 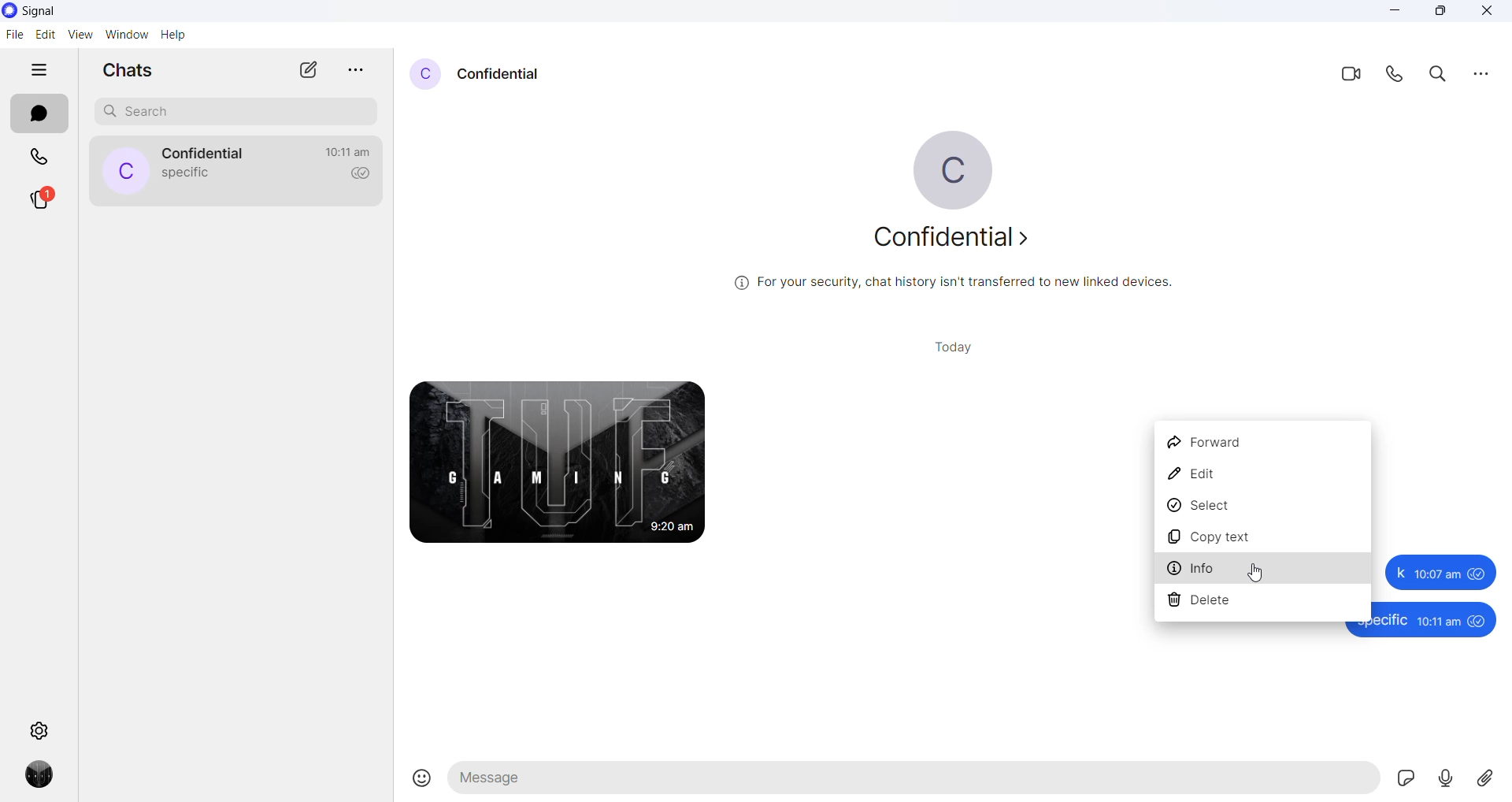 I want to click on search chat, so click(x=238, y=112).